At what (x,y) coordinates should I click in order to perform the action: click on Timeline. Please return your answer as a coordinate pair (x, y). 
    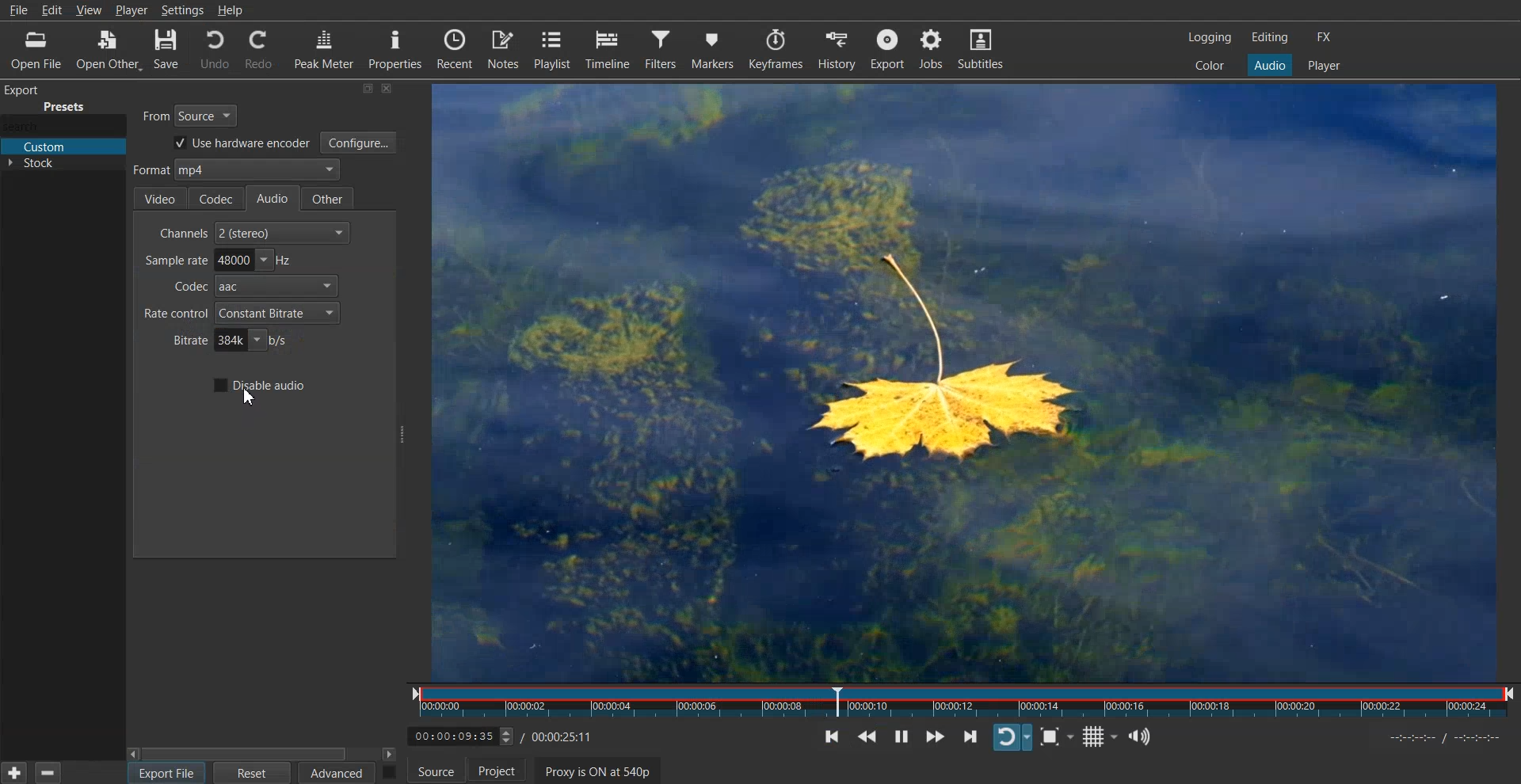
    Looking at the image, I should click on (608, 48).